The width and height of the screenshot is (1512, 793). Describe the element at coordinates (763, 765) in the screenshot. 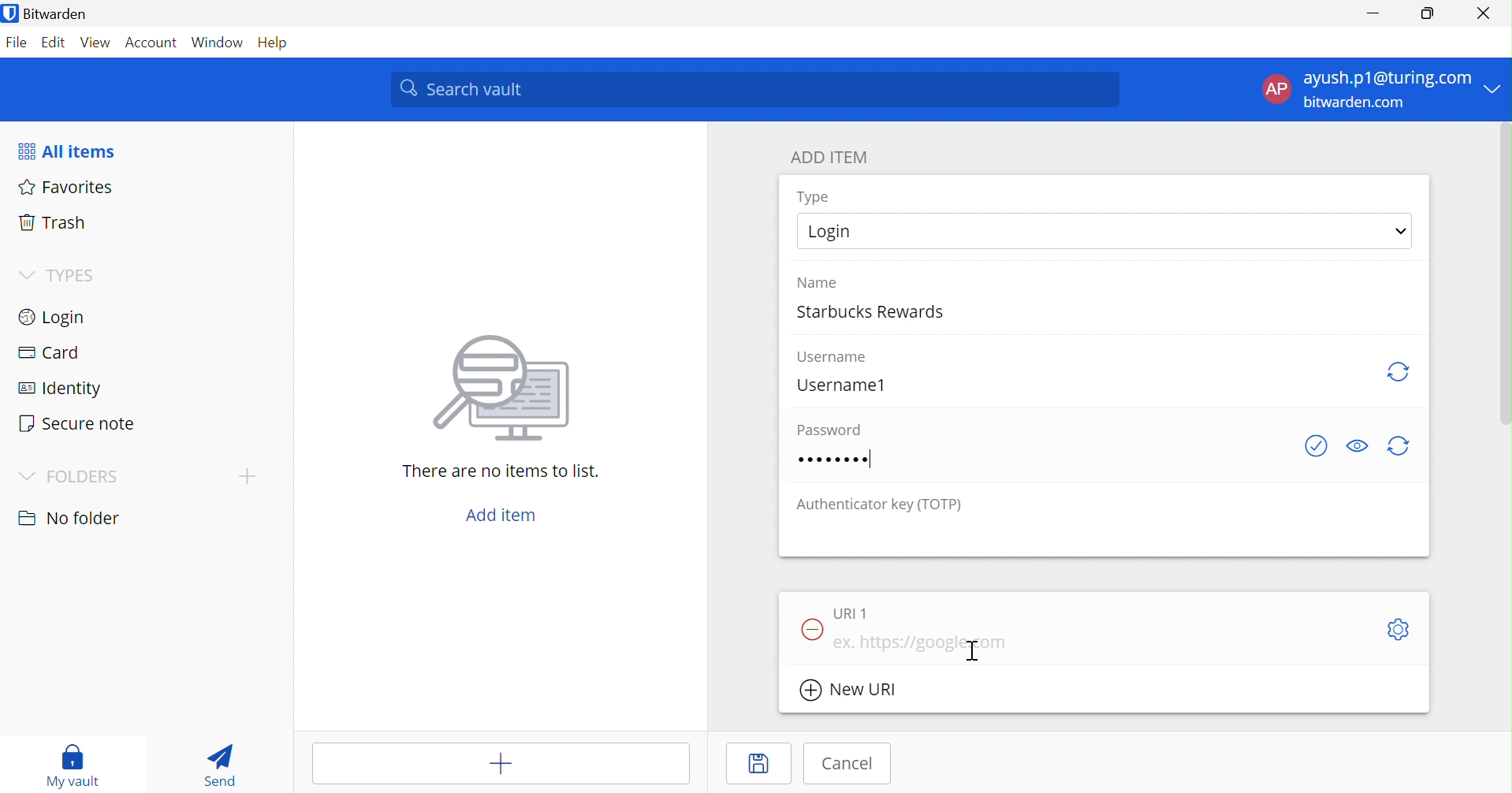

I see `Save` at that location.